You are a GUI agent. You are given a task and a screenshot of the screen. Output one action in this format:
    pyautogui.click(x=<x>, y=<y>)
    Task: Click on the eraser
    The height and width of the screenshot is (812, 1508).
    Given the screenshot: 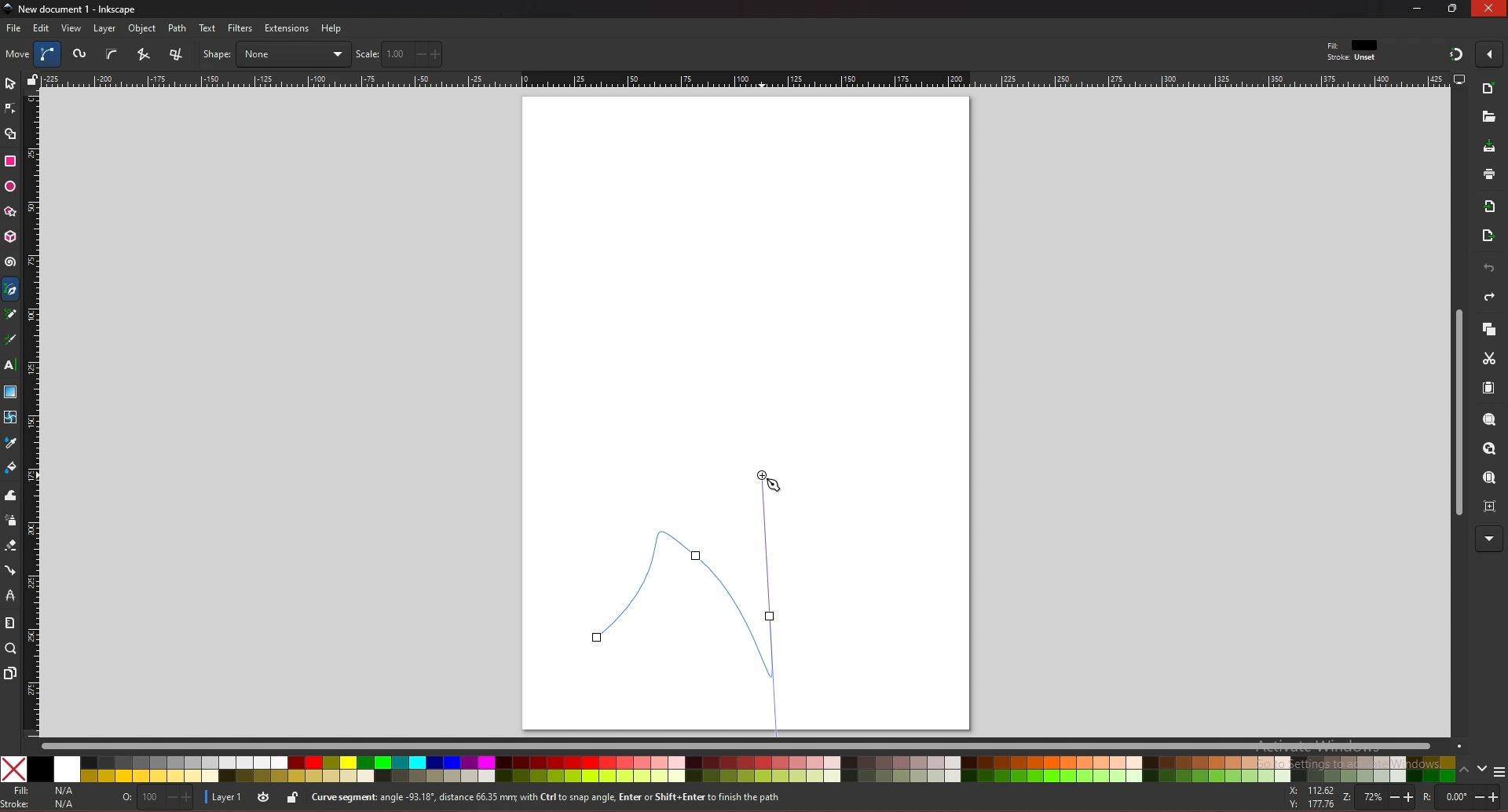 What is the action you would take?
    pyautogui.click(x=10, y=546)
    